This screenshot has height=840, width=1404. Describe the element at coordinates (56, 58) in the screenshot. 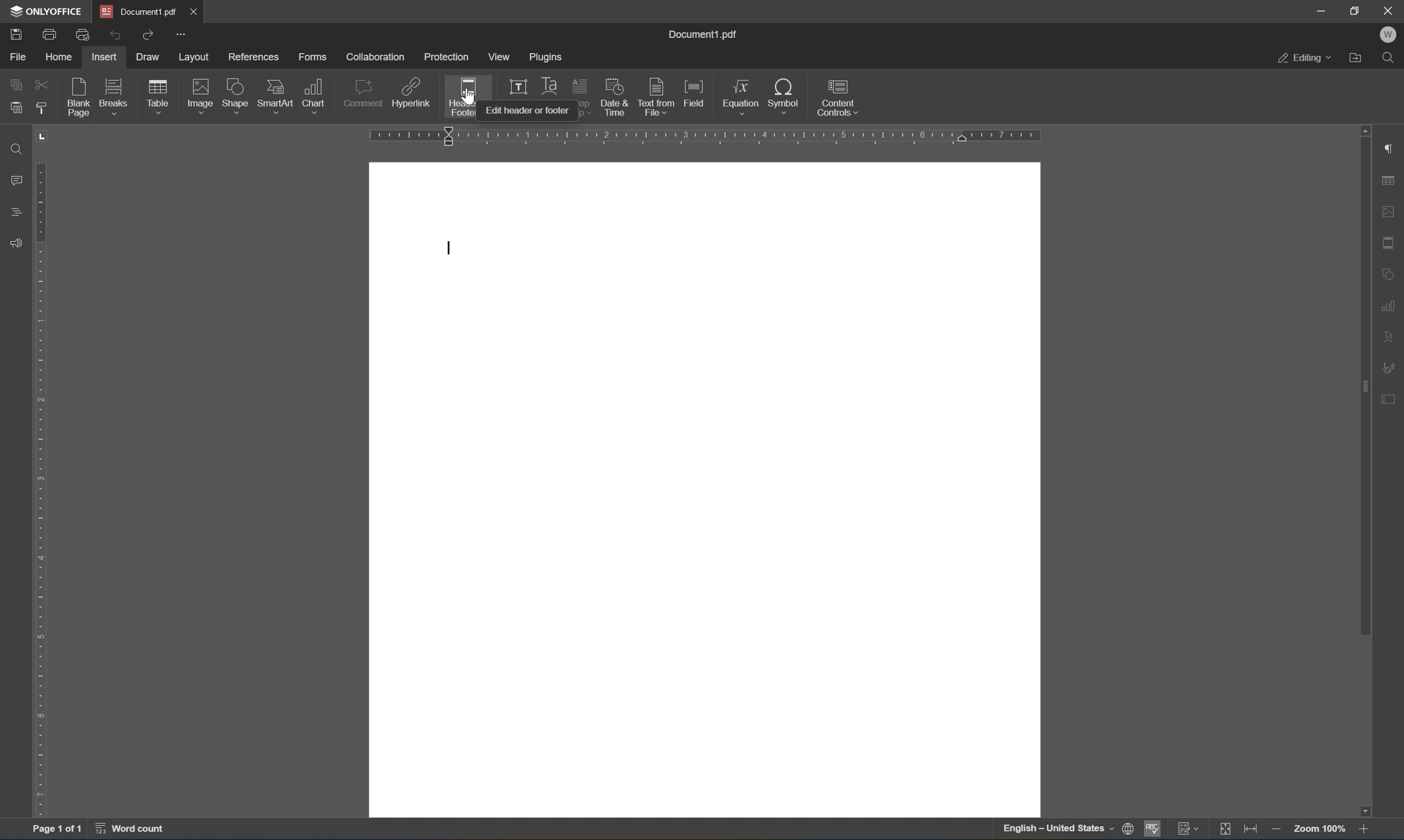

I see `home` at that location.